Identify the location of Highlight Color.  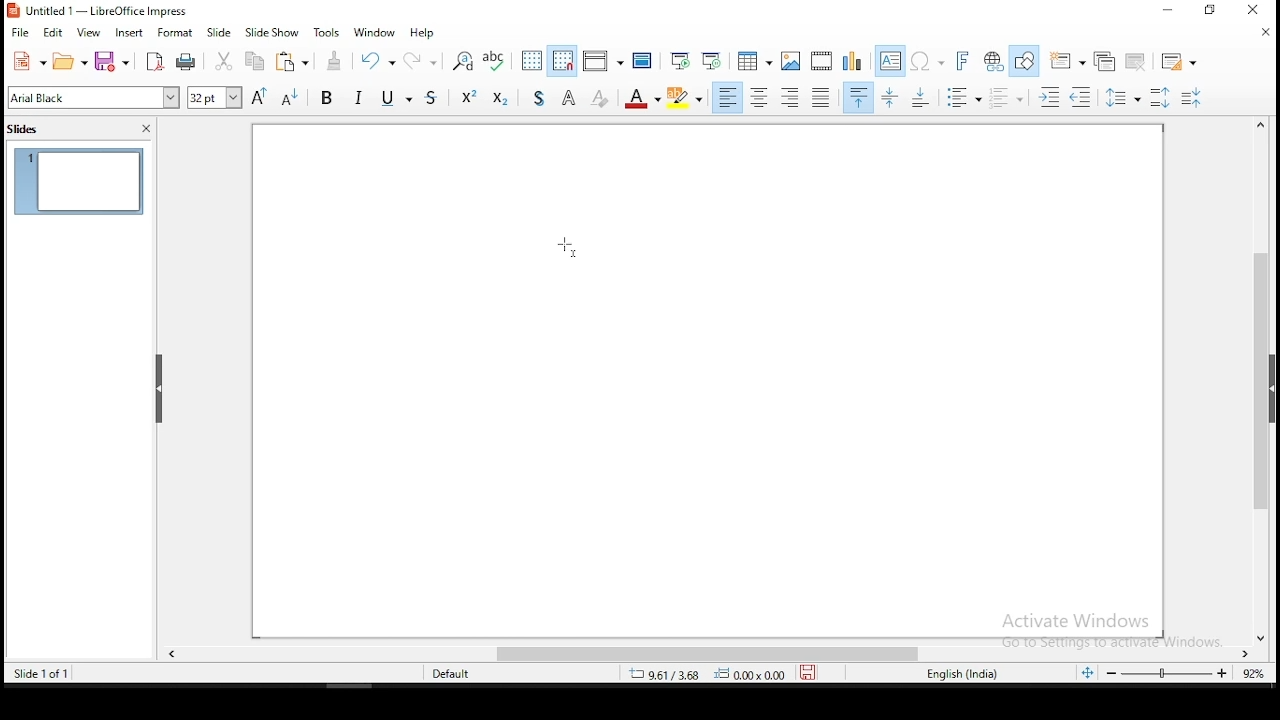
(685, 98).